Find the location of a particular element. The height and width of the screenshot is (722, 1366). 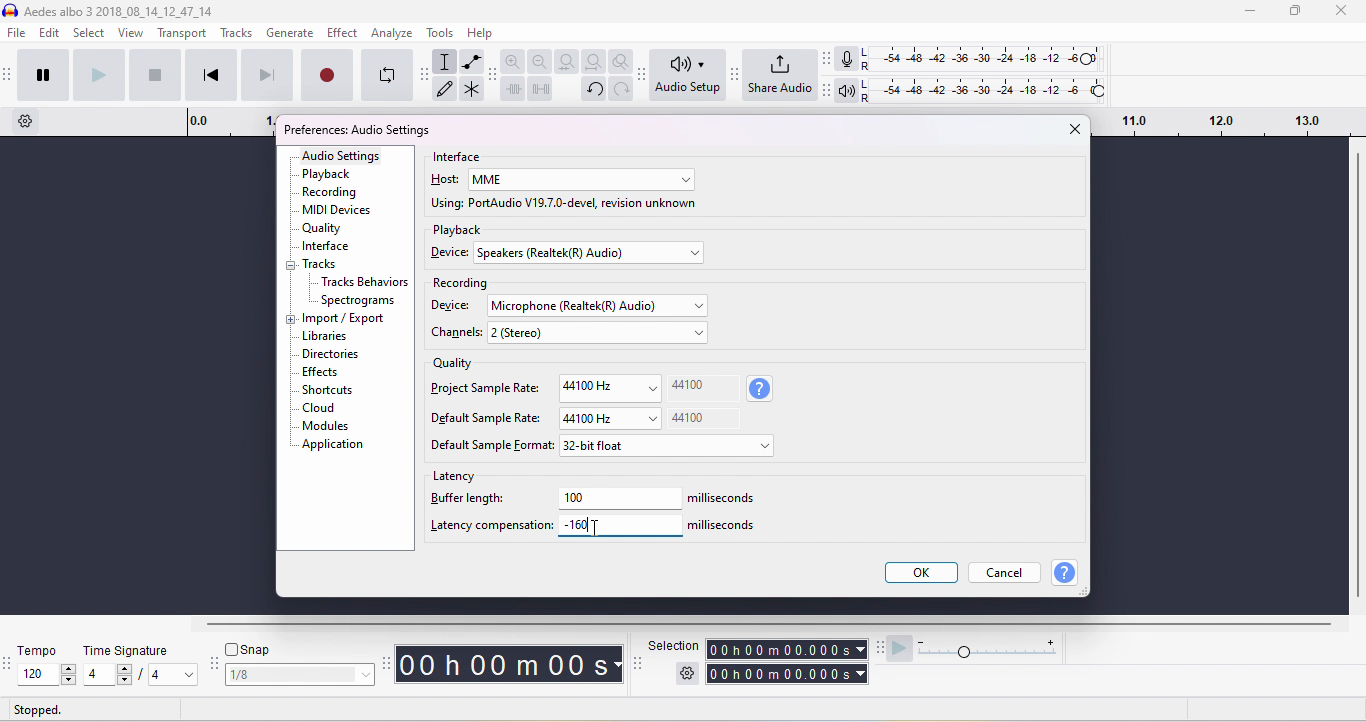

selection settings is located at coordinates (686, 673).